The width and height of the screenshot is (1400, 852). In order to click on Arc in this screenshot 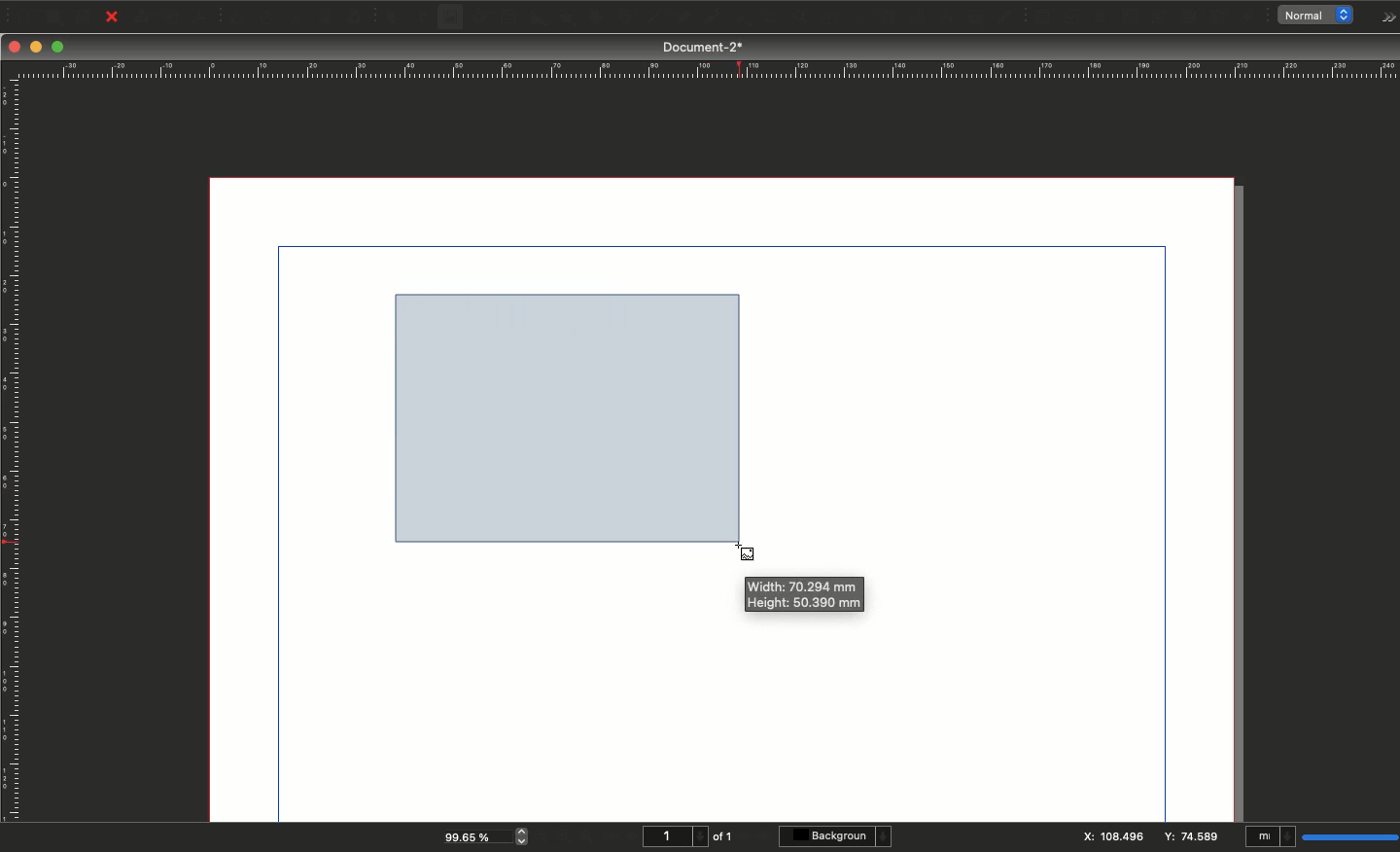, I will do `click(595, 18)`.